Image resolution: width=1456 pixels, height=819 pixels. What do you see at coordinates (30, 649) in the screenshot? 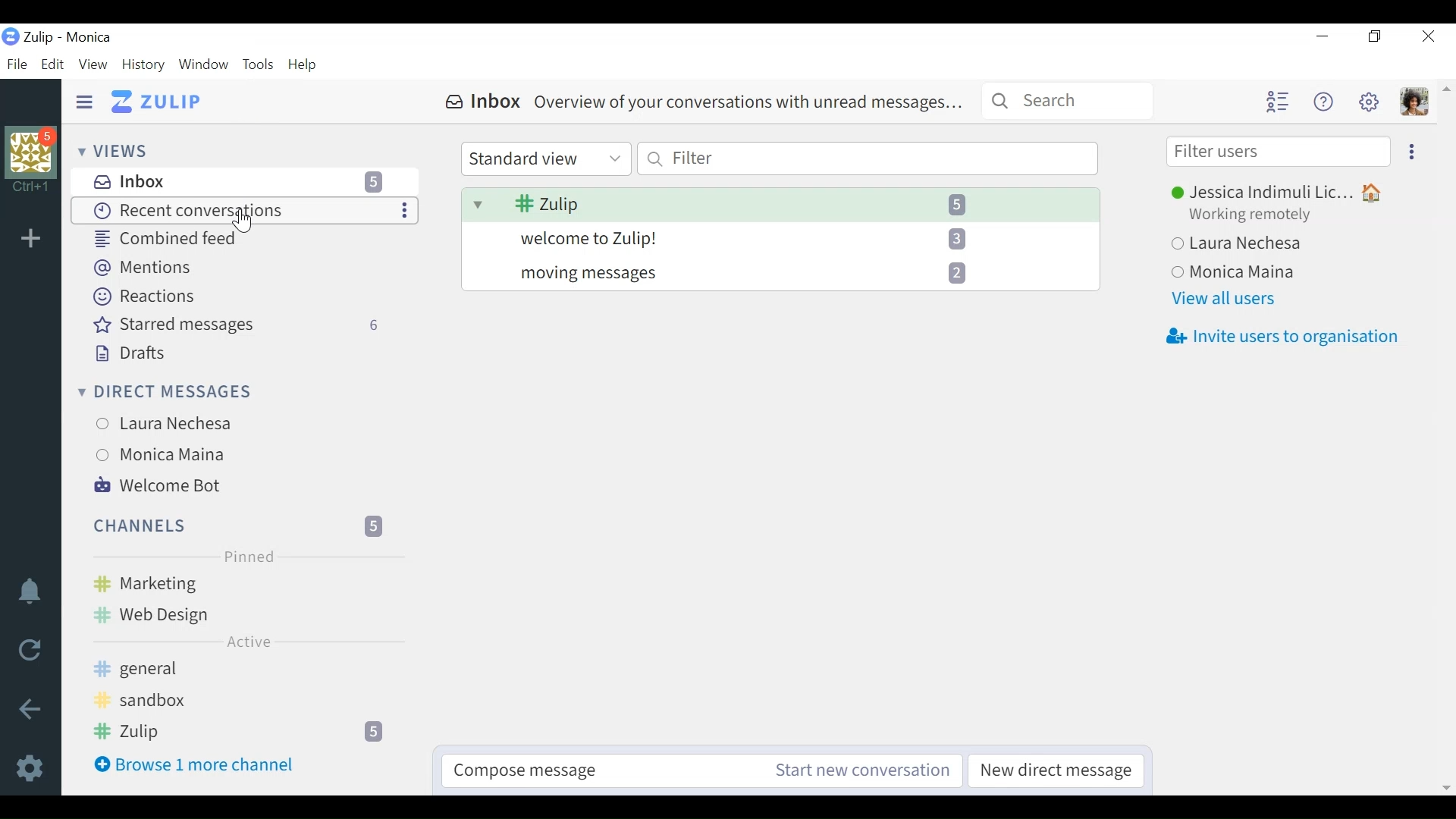
I see `Reload` at bounding box center [30, 649].